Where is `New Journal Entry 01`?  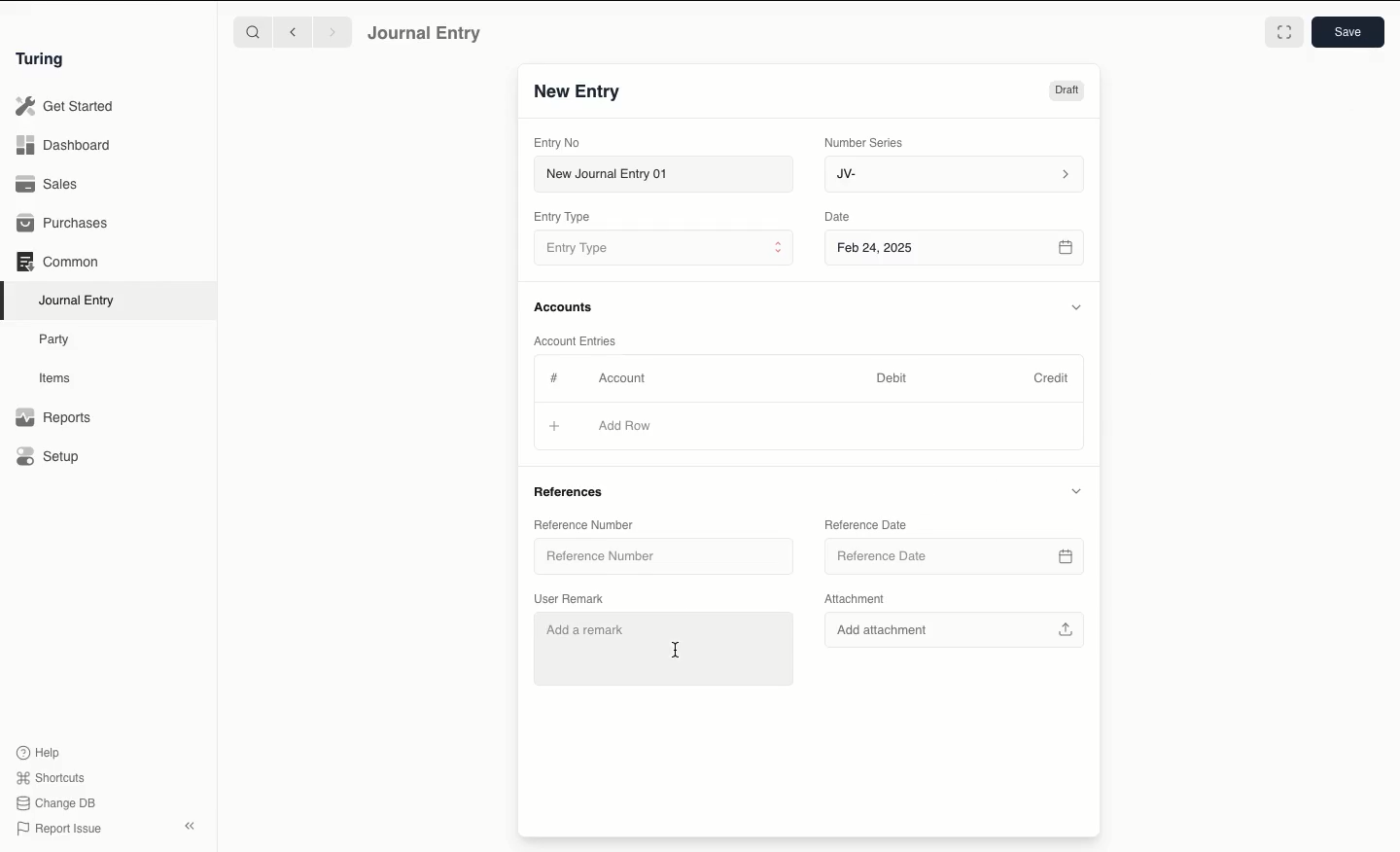 New Journal Entry 01 is located at coordinates (662, 173).